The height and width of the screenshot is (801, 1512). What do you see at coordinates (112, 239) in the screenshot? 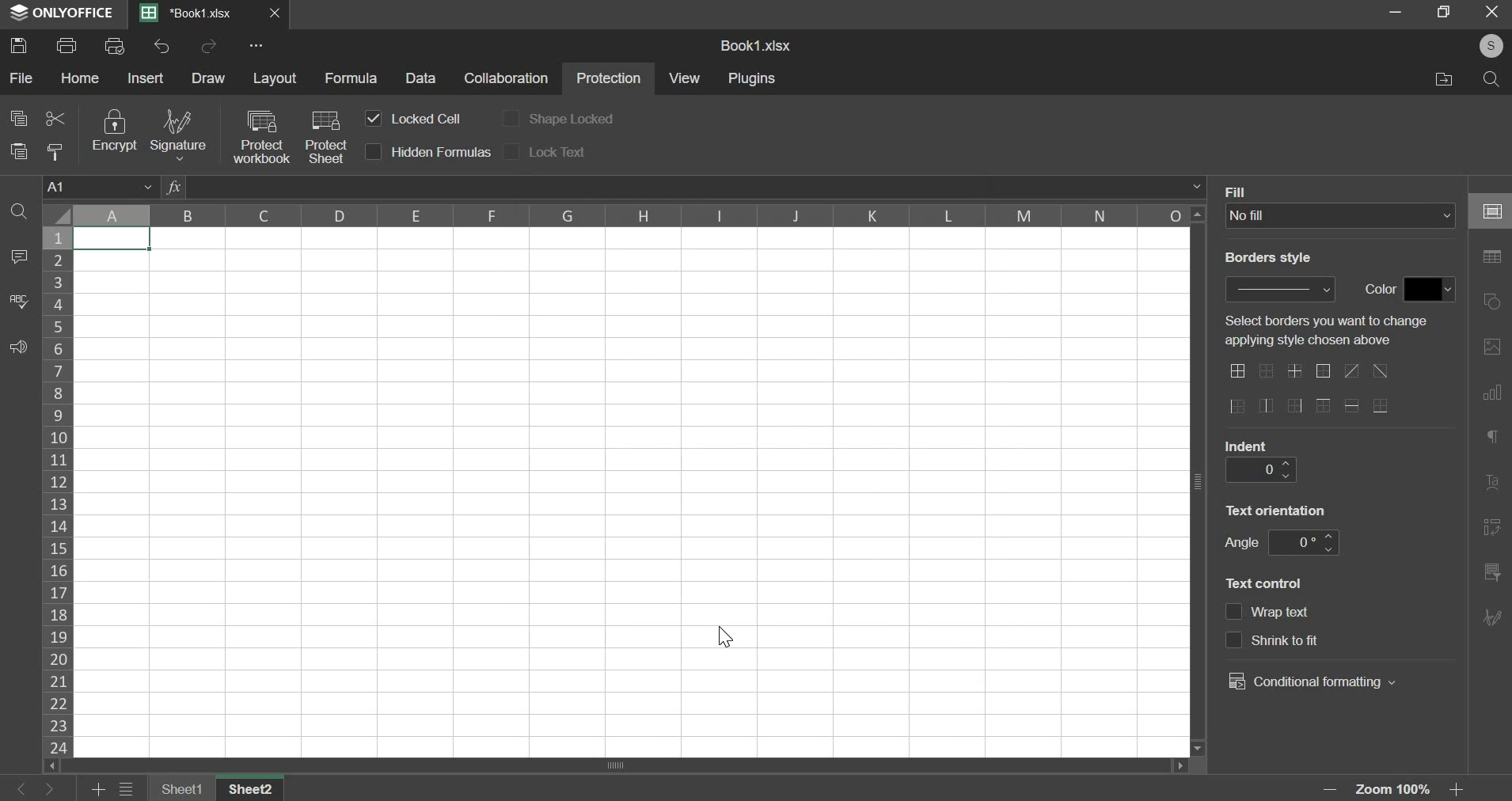
I see `selected cell` at bounding box center [112, 239].